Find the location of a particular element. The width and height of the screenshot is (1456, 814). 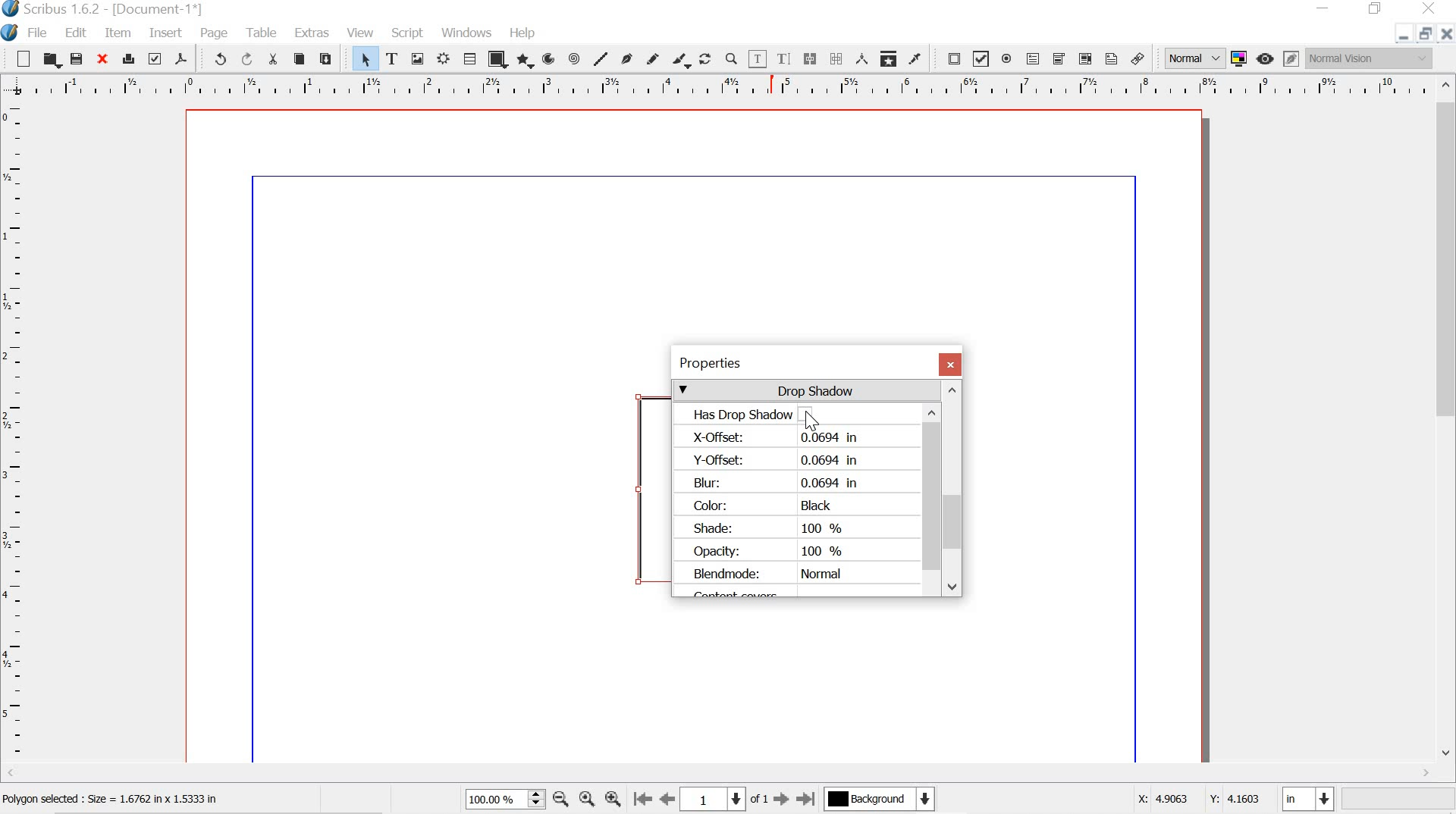

TABLE is located at coordinates (260, 31).